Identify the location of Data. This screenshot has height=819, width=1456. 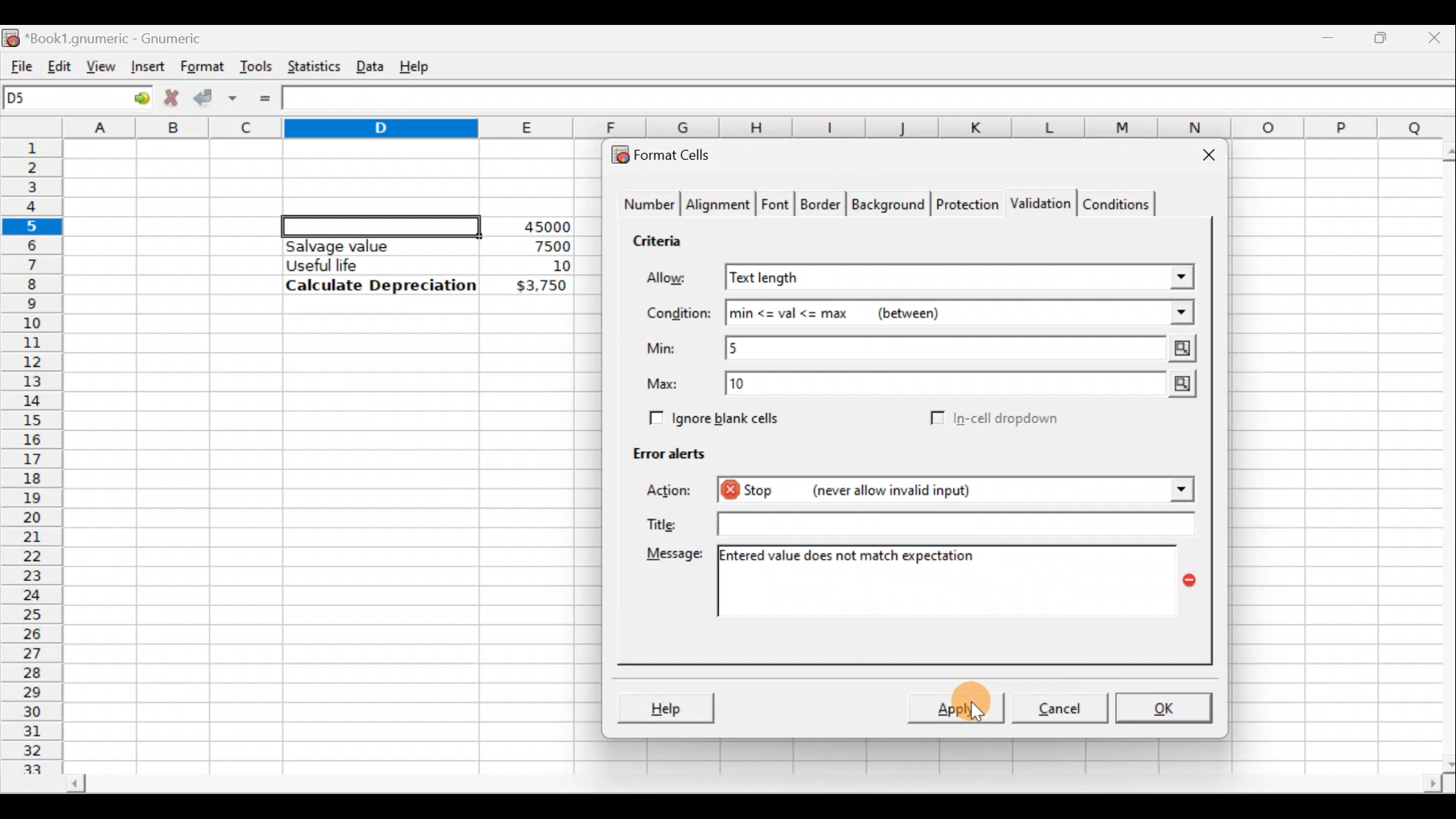
(369, 63).